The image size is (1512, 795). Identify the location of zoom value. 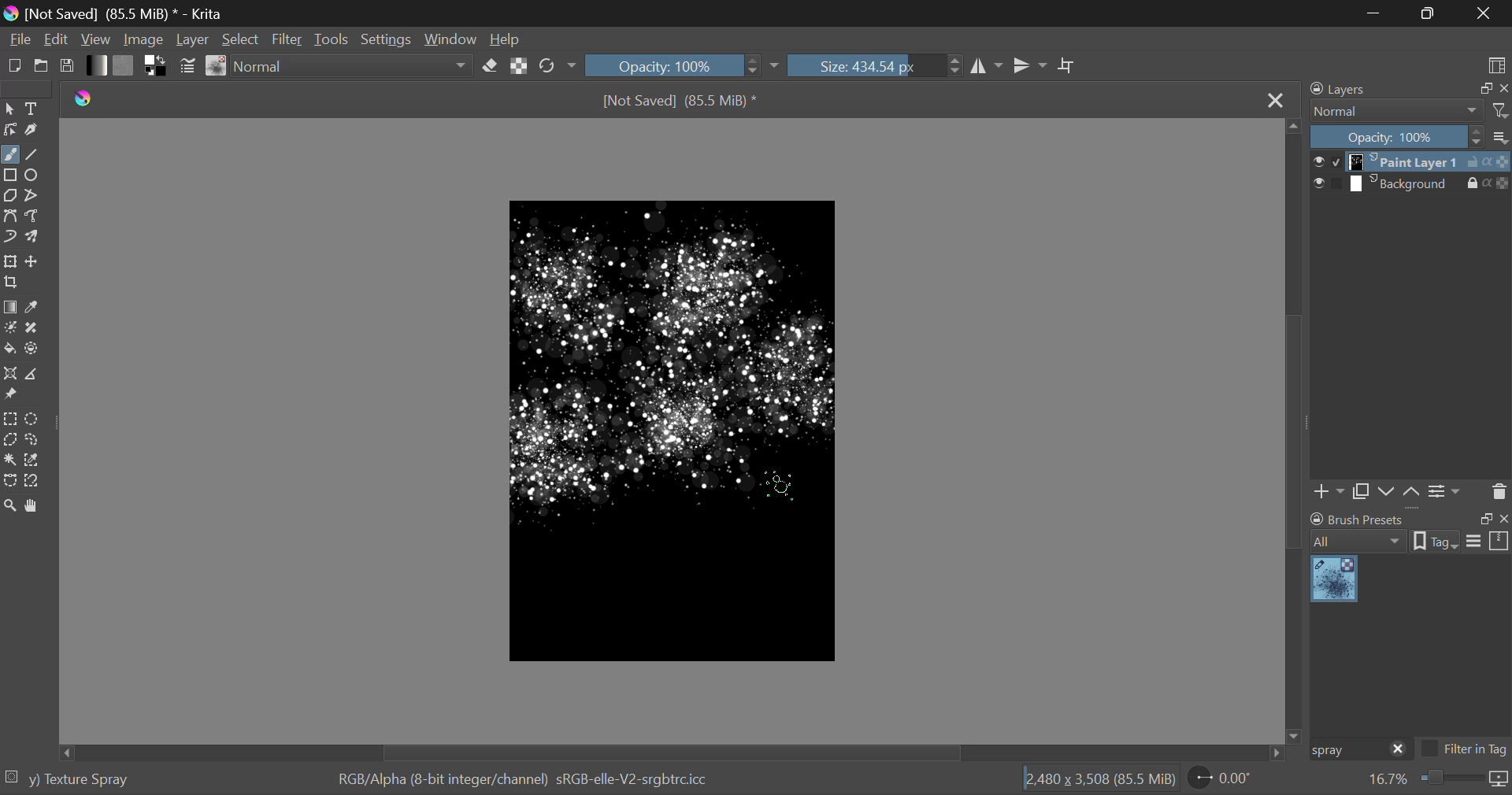
(1388, 780).